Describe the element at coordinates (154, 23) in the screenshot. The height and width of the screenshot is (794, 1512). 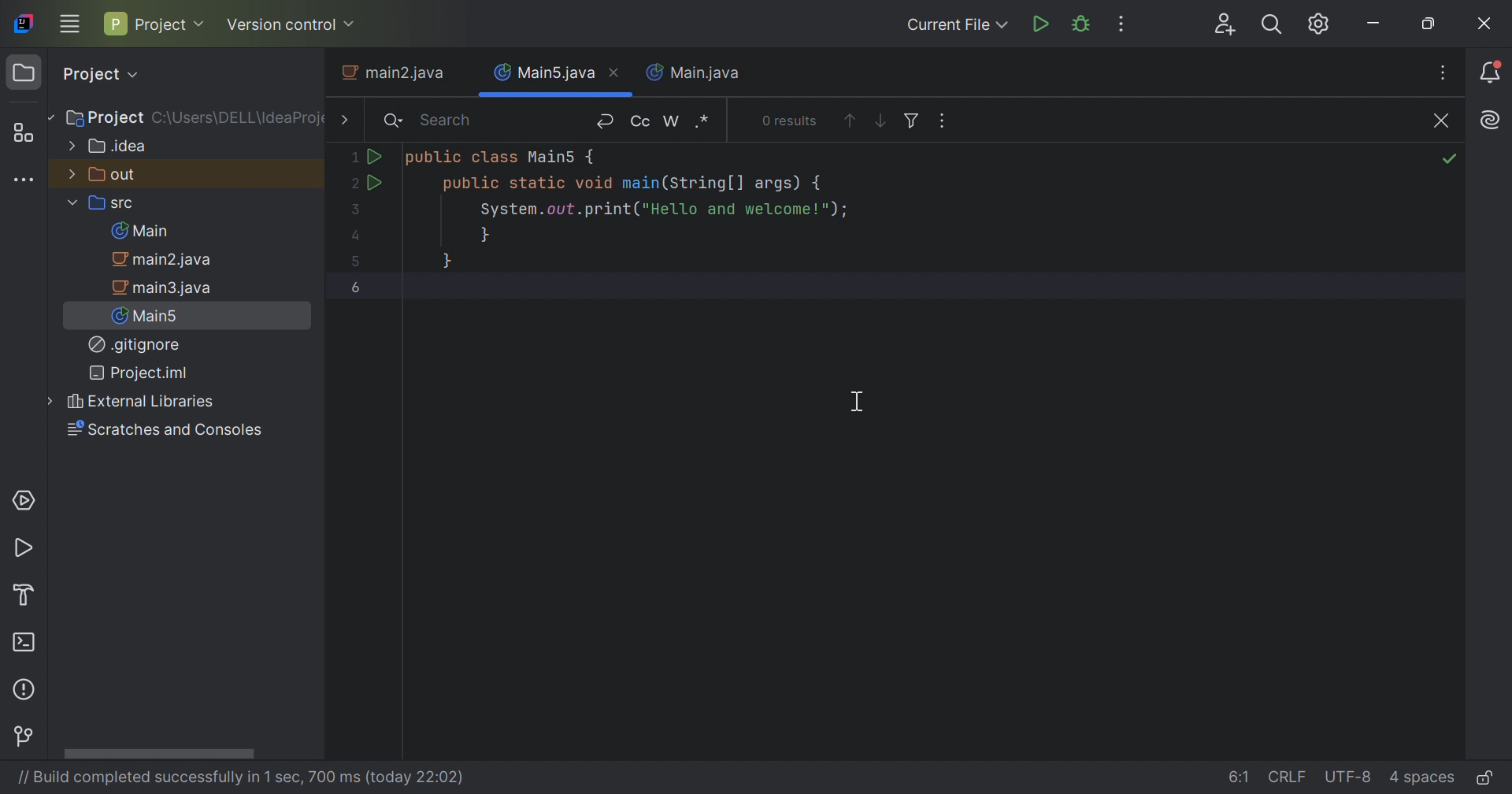
I see `Project` at that location.